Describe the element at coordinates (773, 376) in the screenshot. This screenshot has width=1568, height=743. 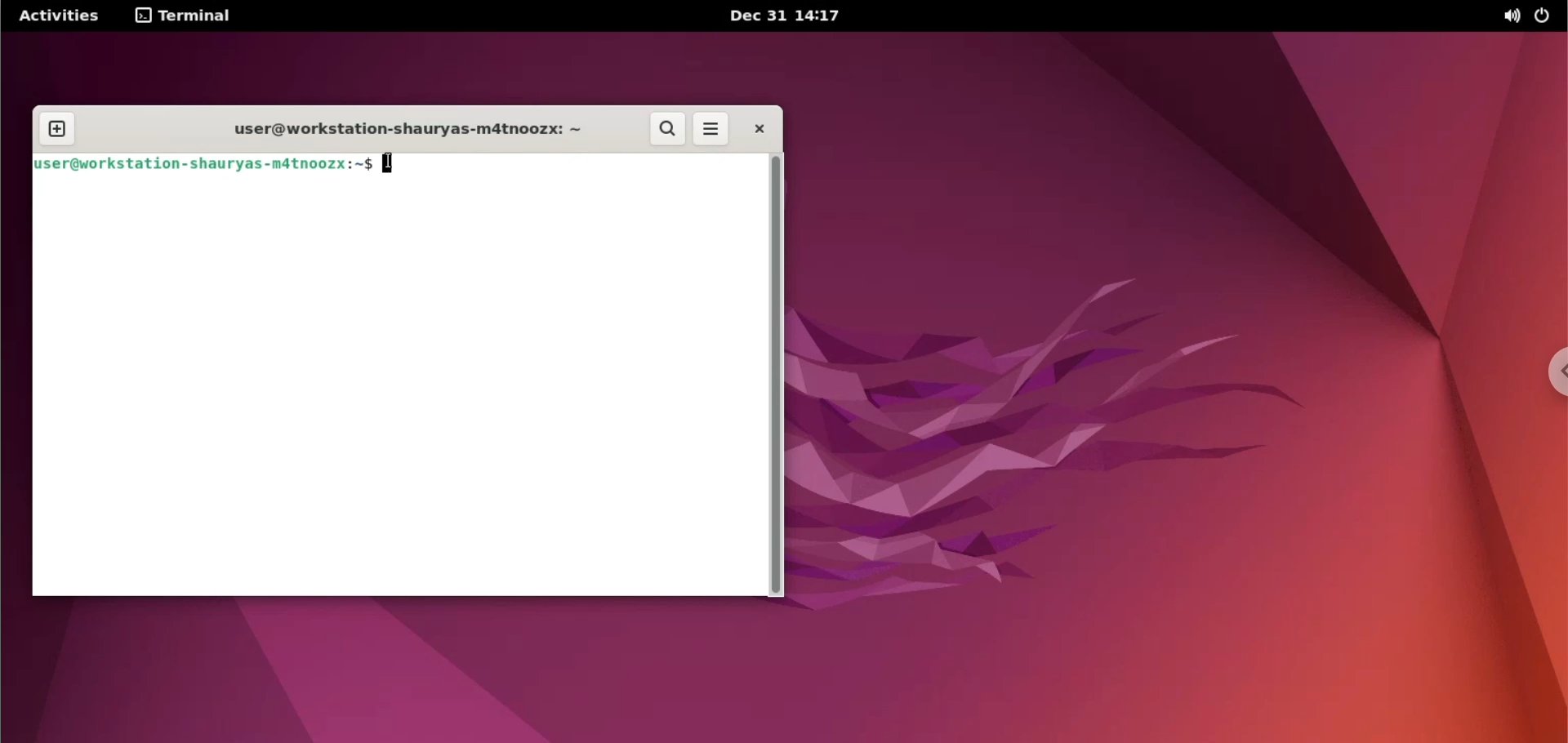
I see `scrollbar` at that location.